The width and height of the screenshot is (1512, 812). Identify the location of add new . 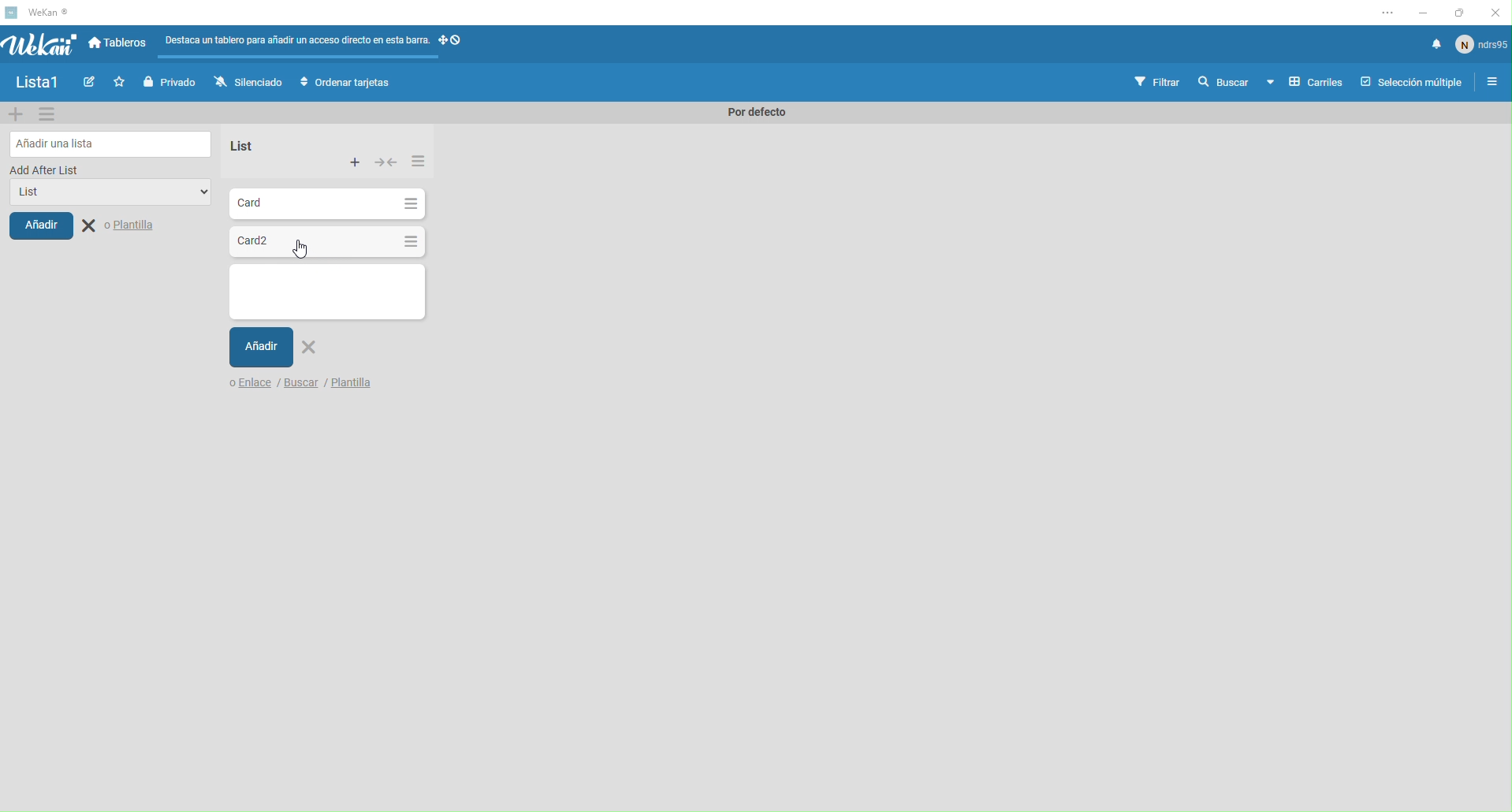
(16, 114).